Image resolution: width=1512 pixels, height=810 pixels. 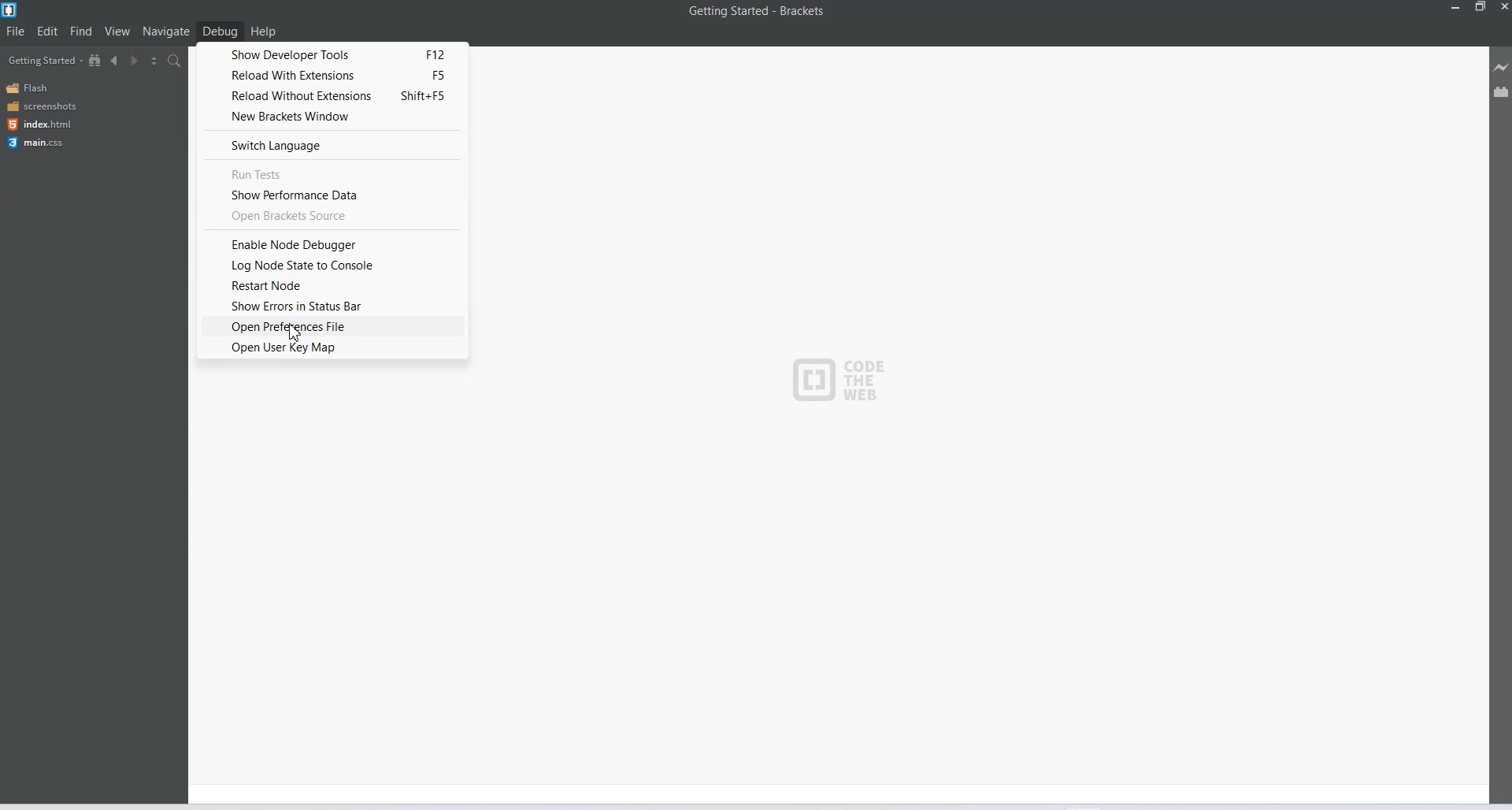 I want to click on restart Node, so click(x=329, y=285).